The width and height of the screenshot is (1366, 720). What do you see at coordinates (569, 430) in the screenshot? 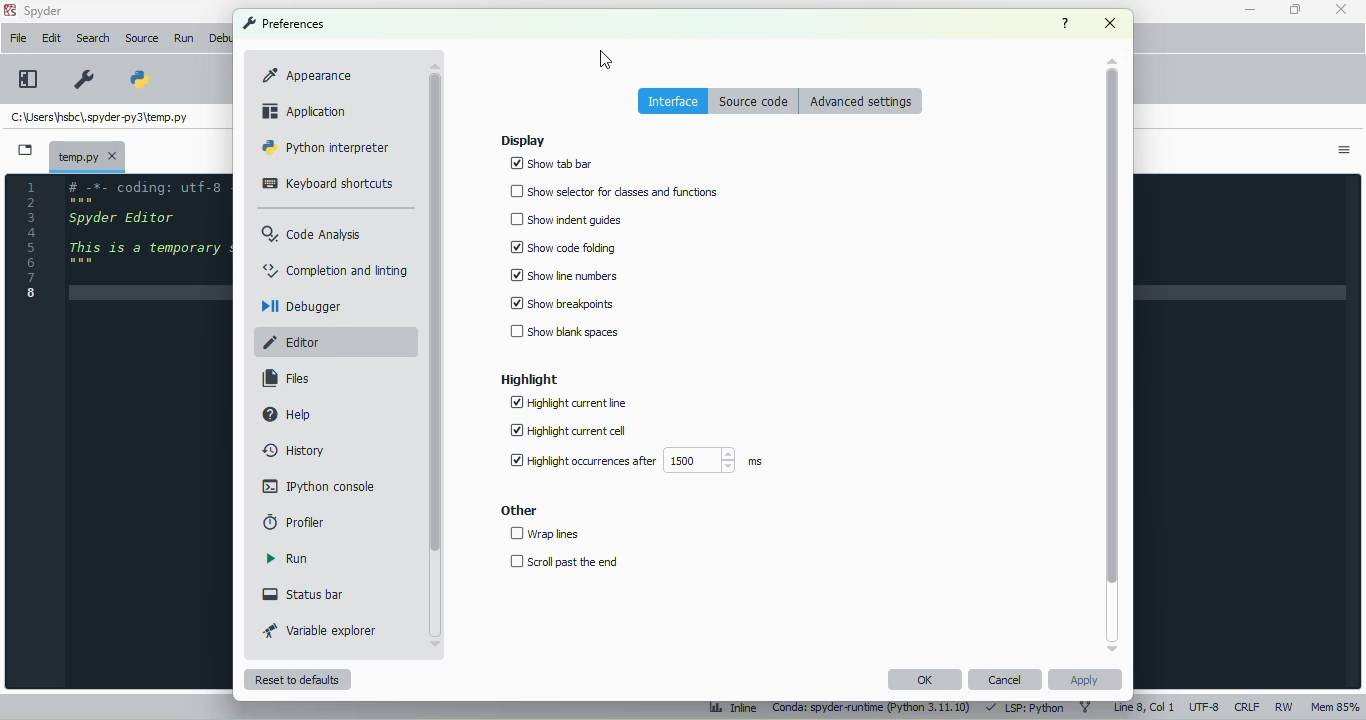
I see `highlight current cell` at bounding box center [569, 430].